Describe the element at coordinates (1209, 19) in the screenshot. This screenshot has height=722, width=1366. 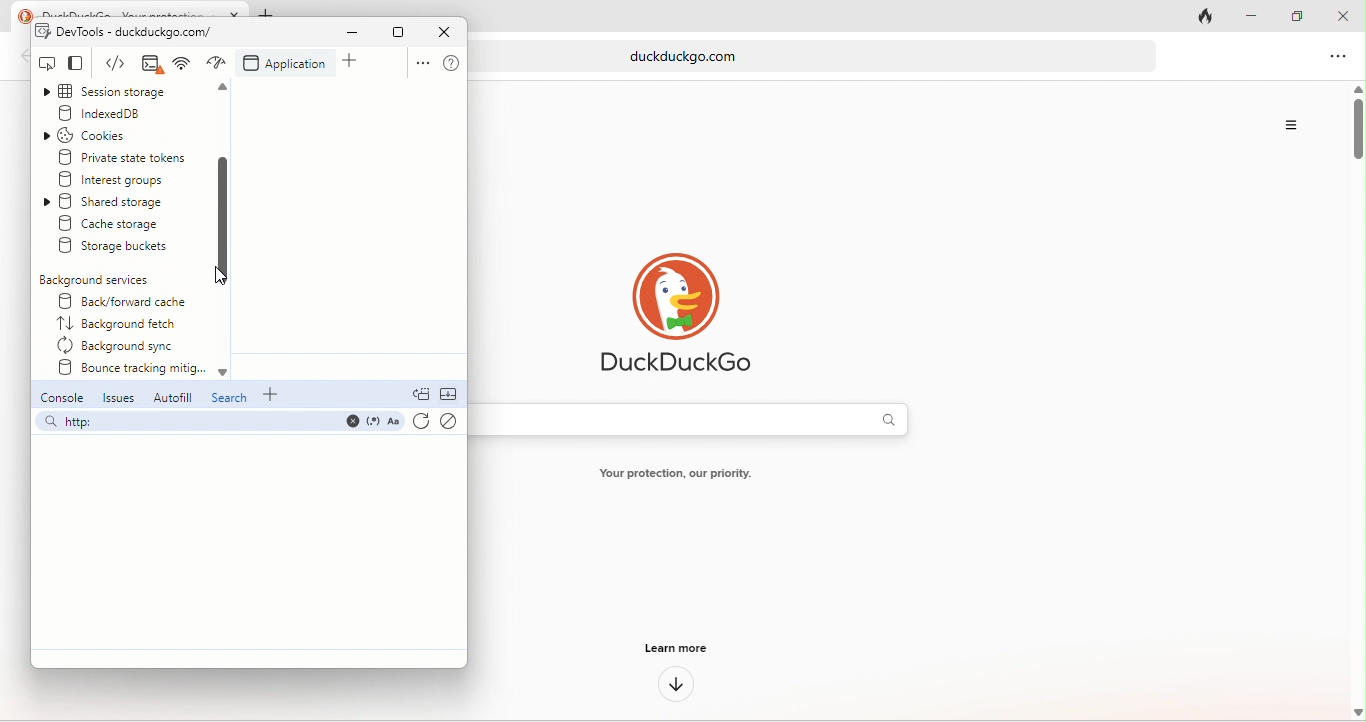
I see `track tab` at that location.